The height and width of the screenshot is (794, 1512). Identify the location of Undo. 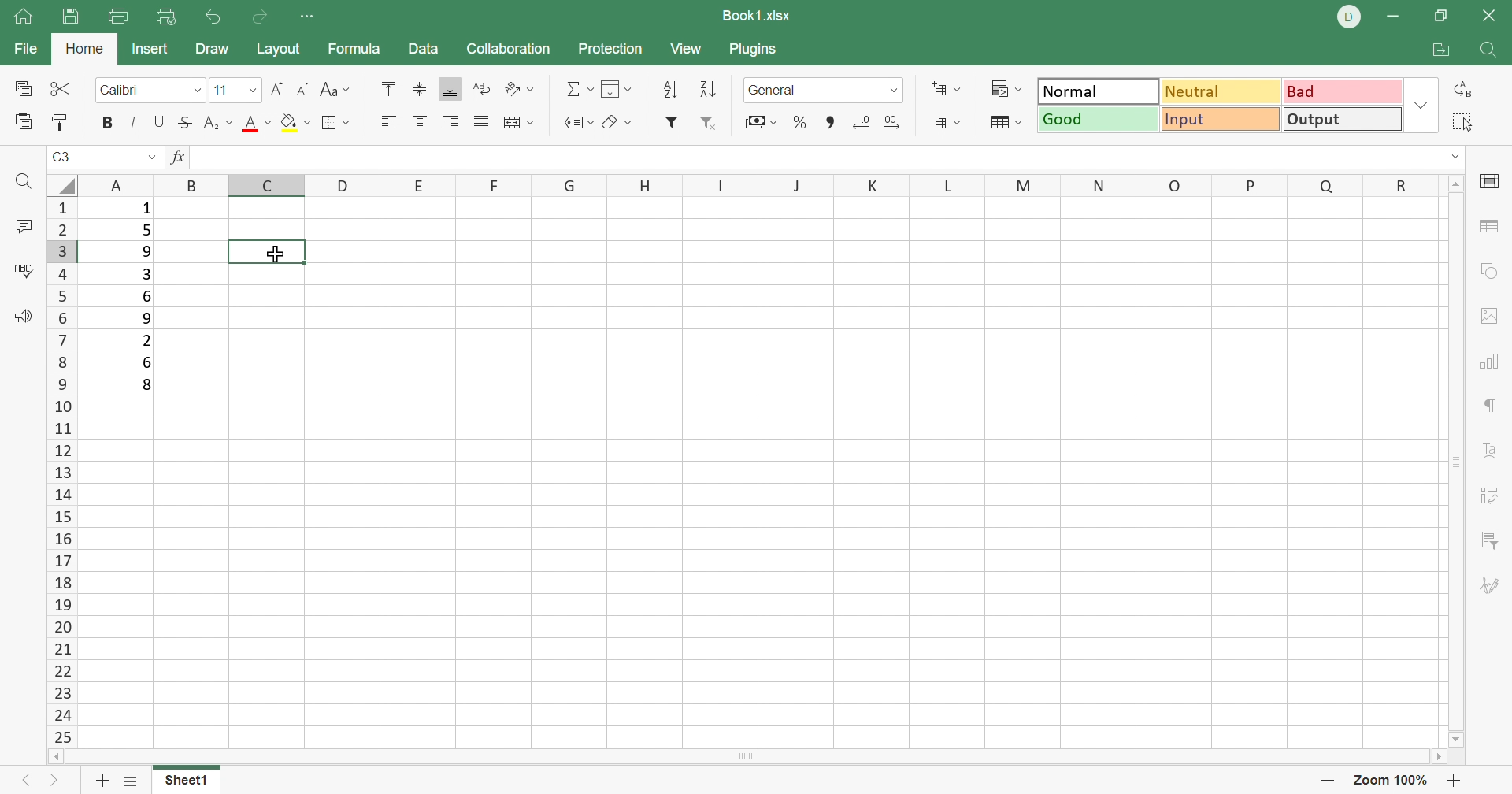
(211, 16).